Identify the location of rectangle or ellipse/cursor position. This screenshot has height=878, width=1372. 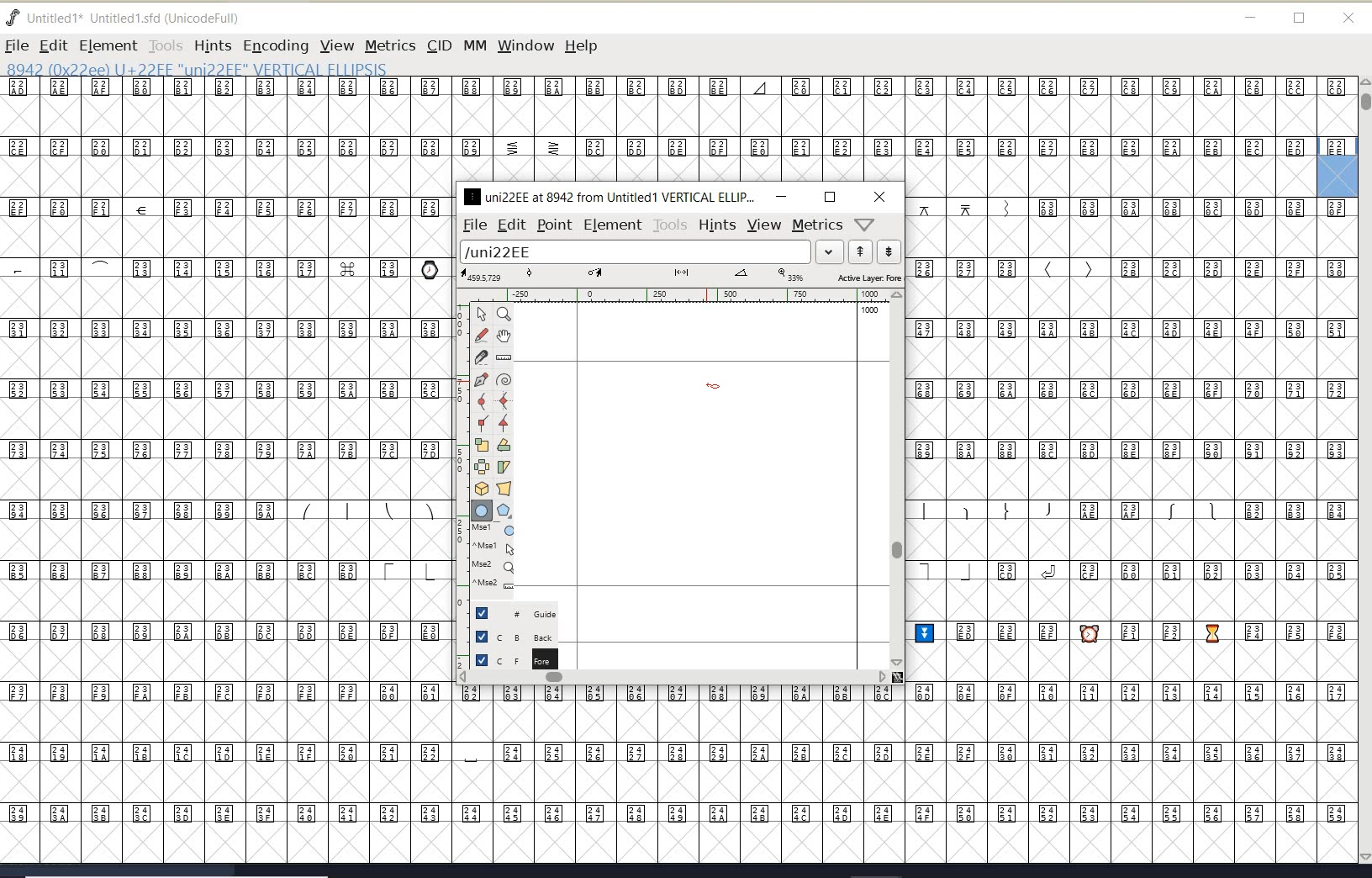
(715, 387).